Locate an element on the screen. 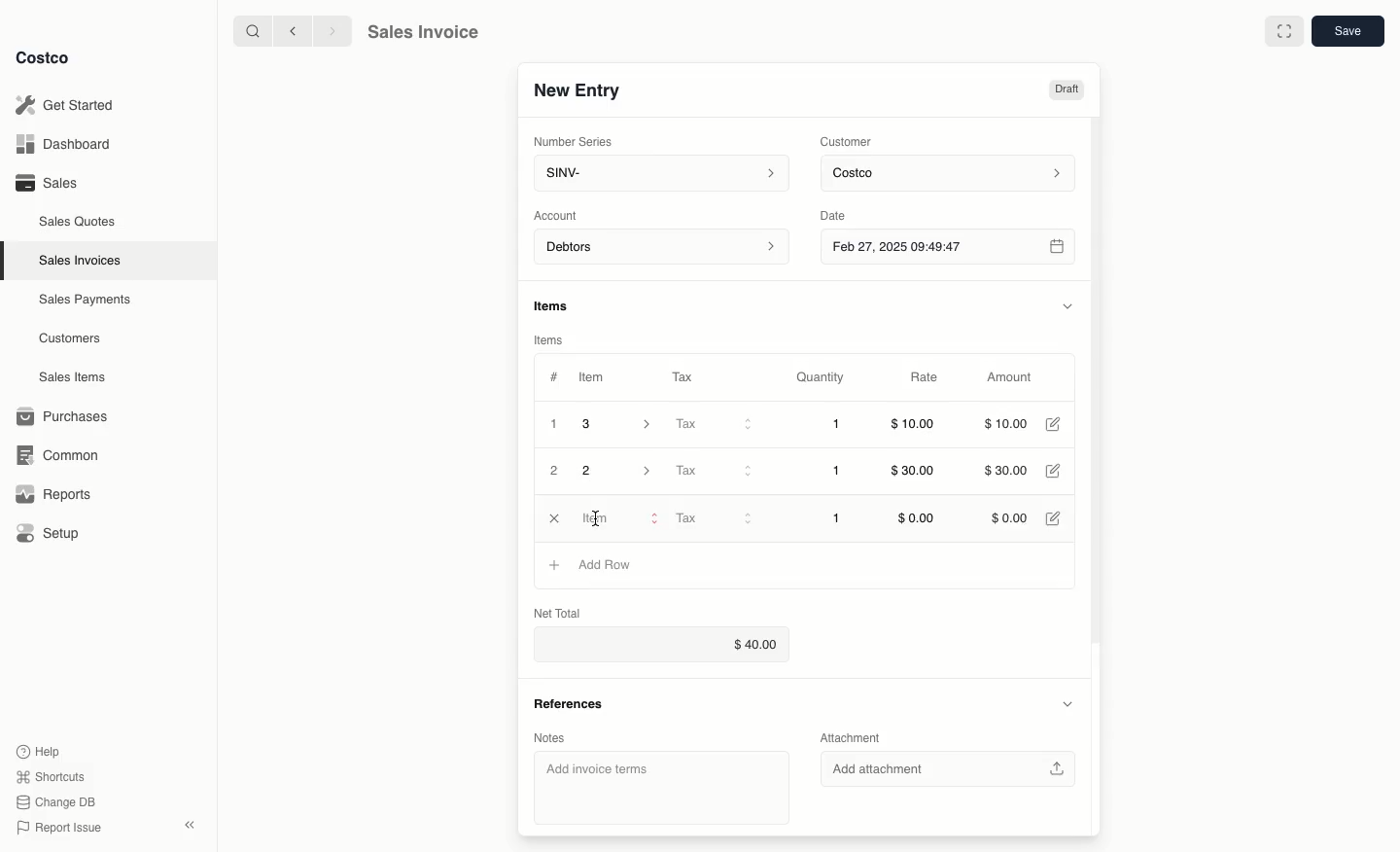 The image size is (1400, 852). Debtors is located at coordinates (662, 248).